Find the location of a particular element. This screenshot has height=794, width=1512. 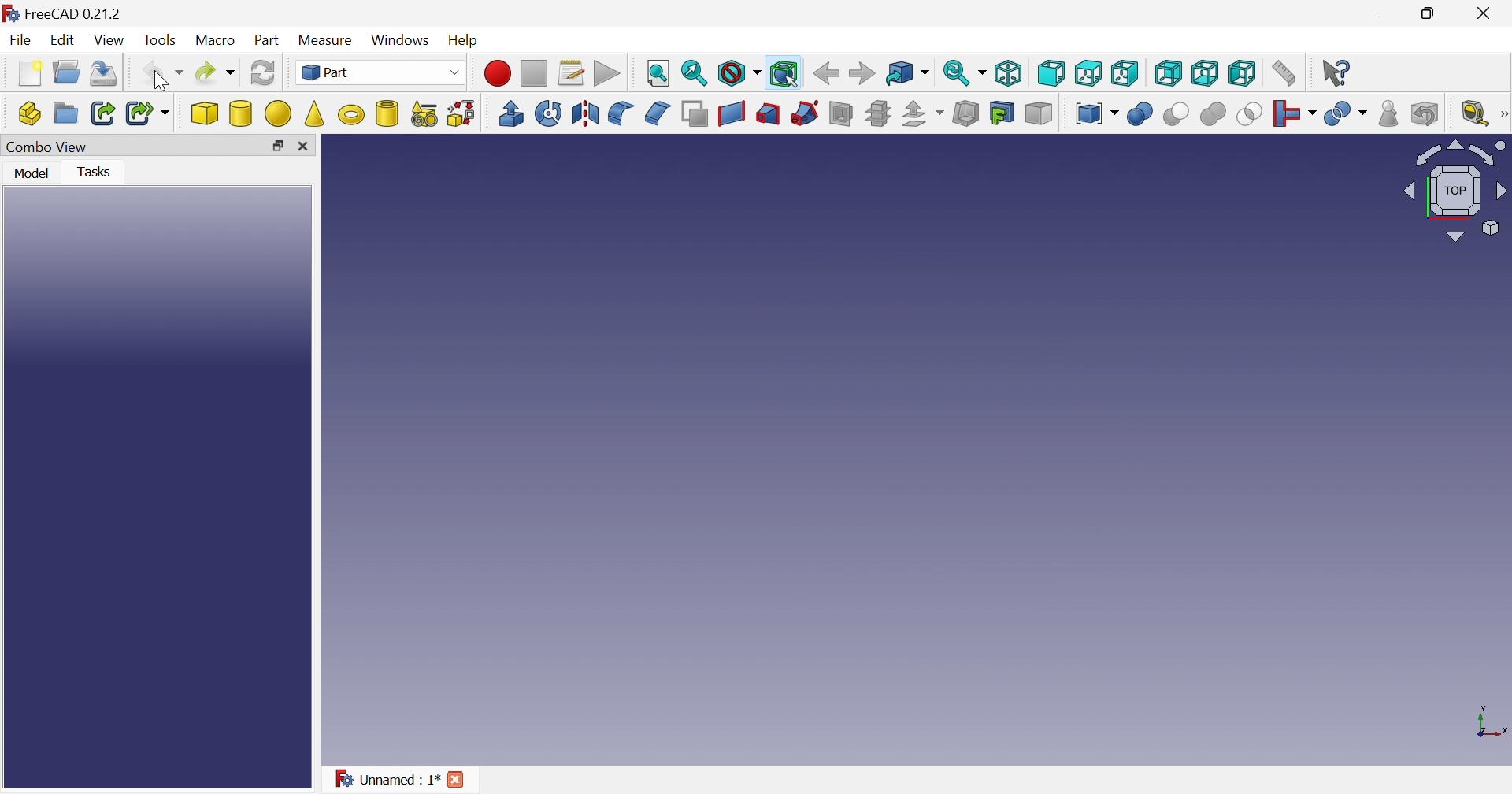

Fit all is located at coordinates (659, 74).